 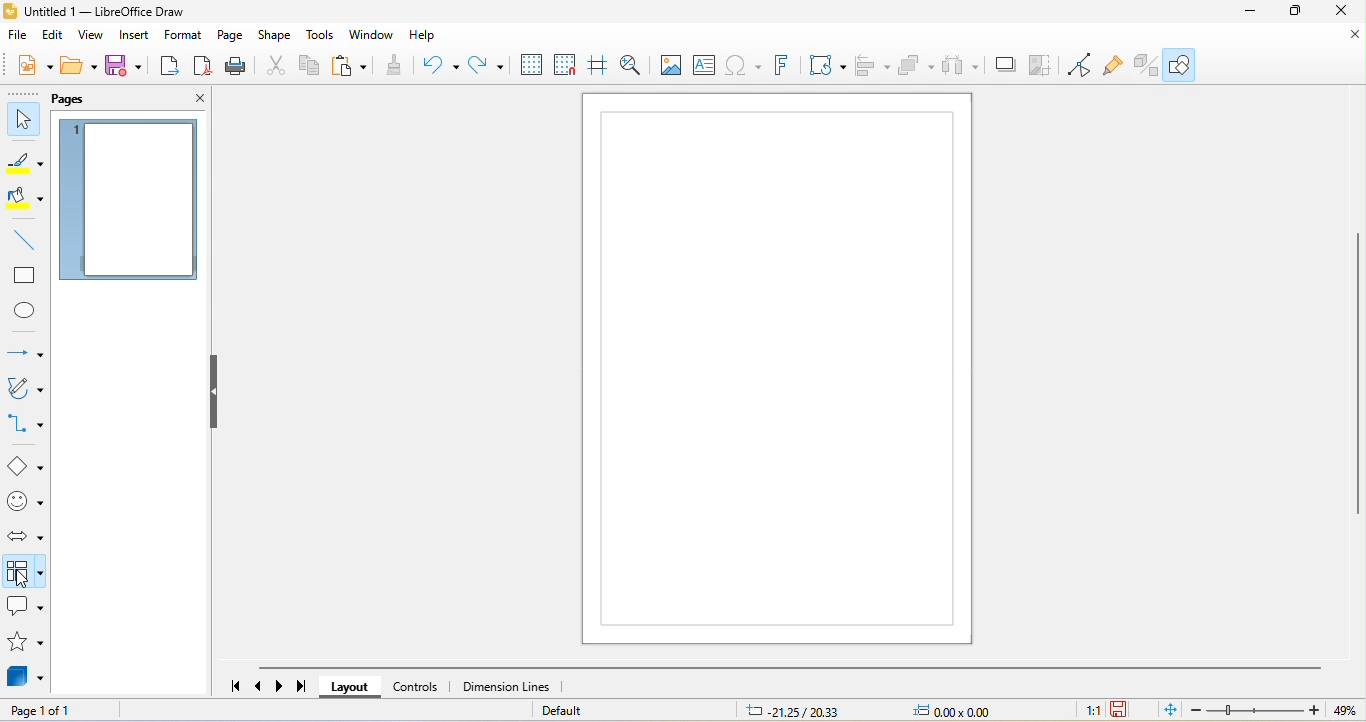 I want to click on untitled 1- libre office draw, so click(x=103, y=12).